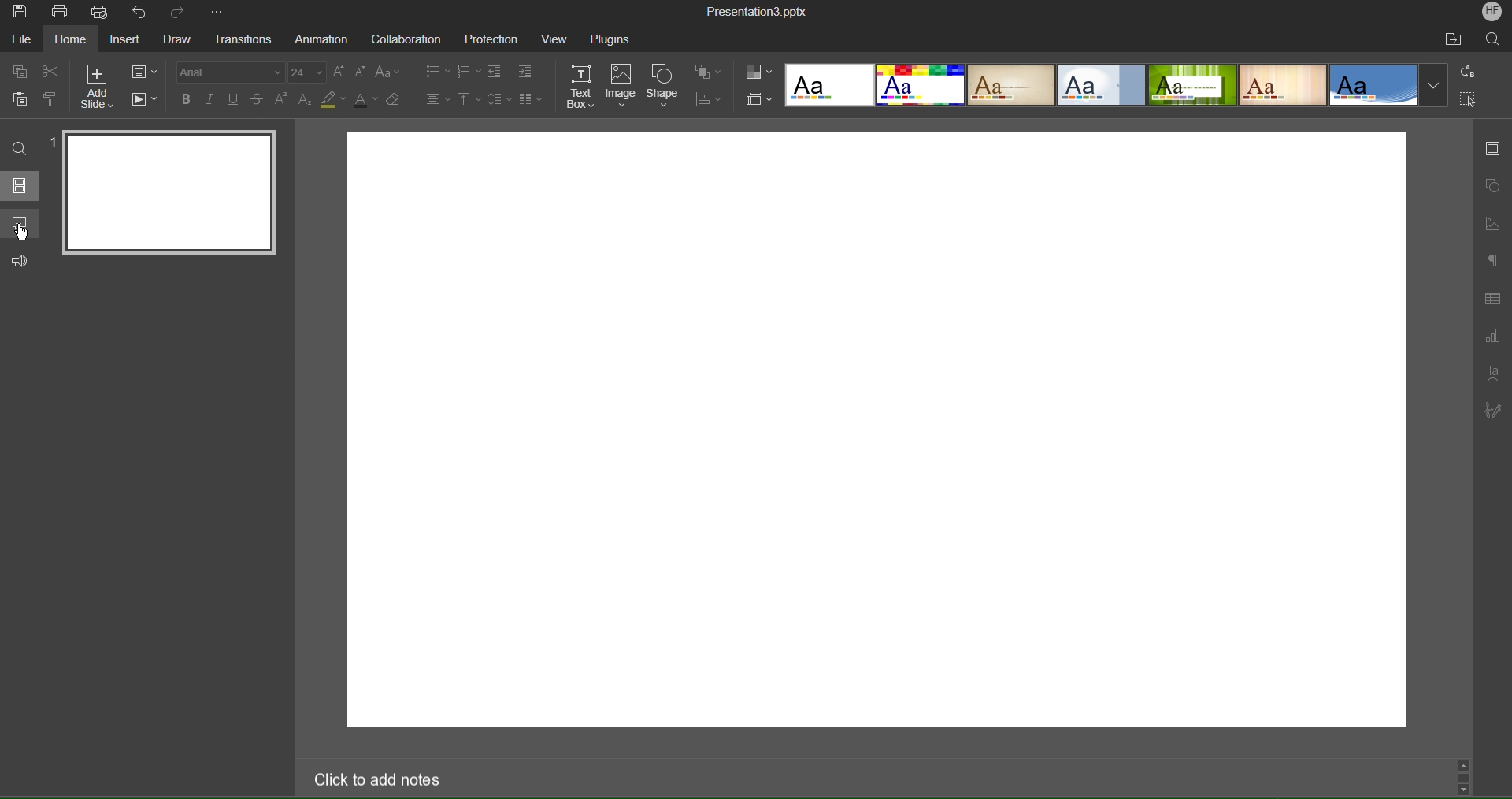 This screenshot has height=799, width=1512. I want to click on Shape, so click(666, 86).